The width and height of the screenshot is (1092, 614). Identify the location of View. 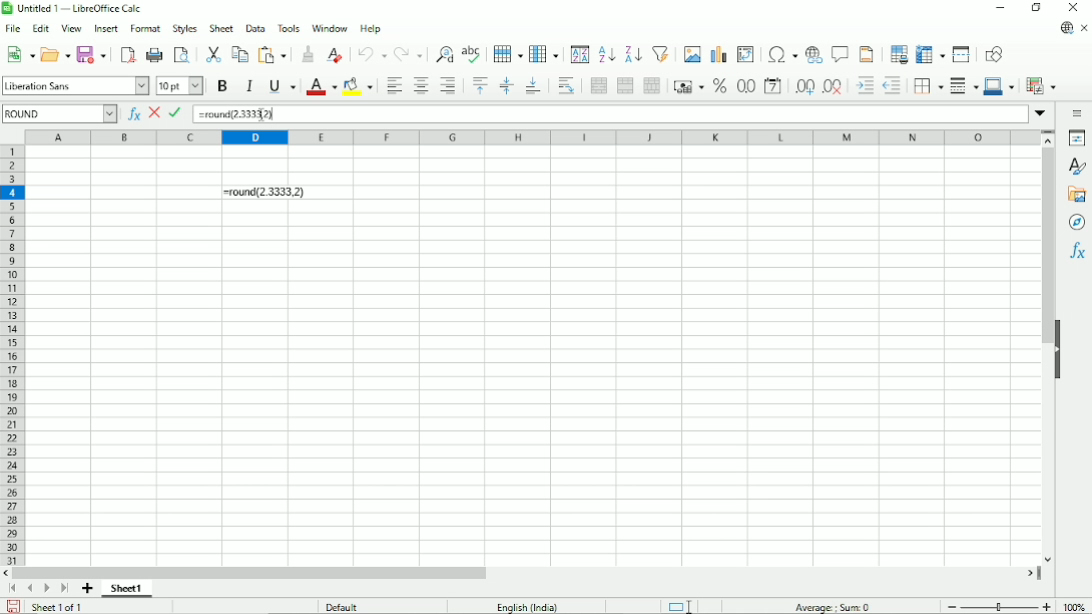
(72, 29).